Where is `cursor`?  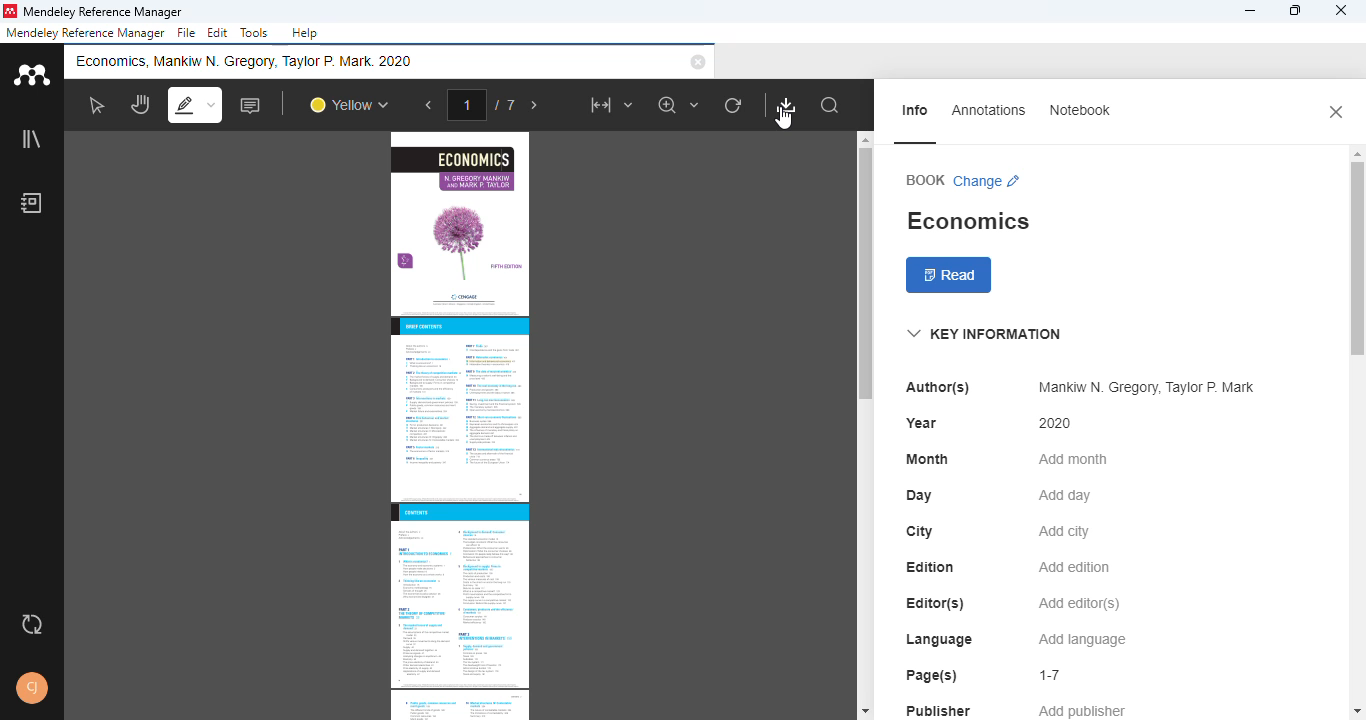
cursor is located at coordinates (785, 120).